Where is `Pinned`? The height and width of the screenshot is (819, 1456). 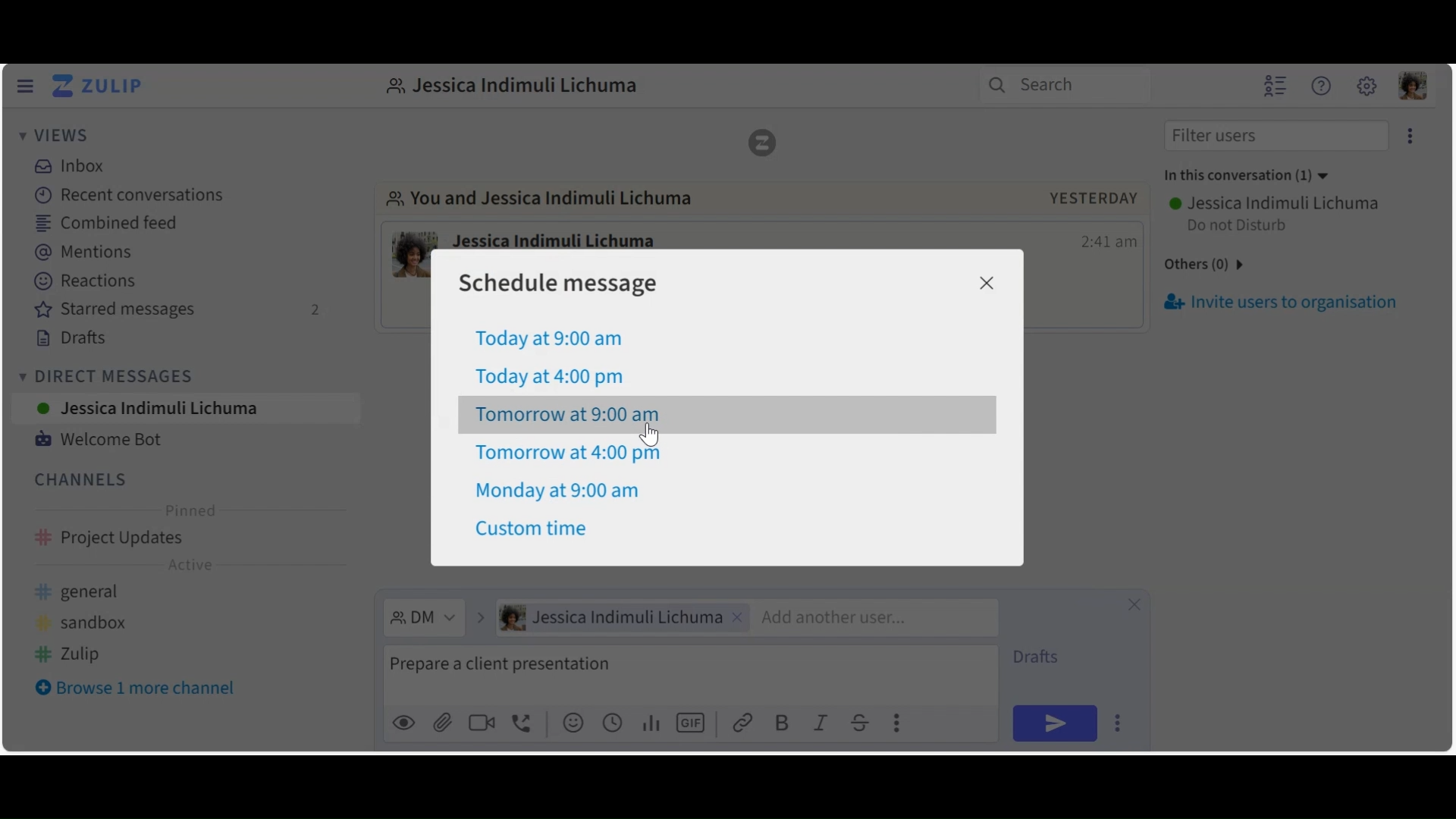 Pinned is located at coordinates (190, 510).